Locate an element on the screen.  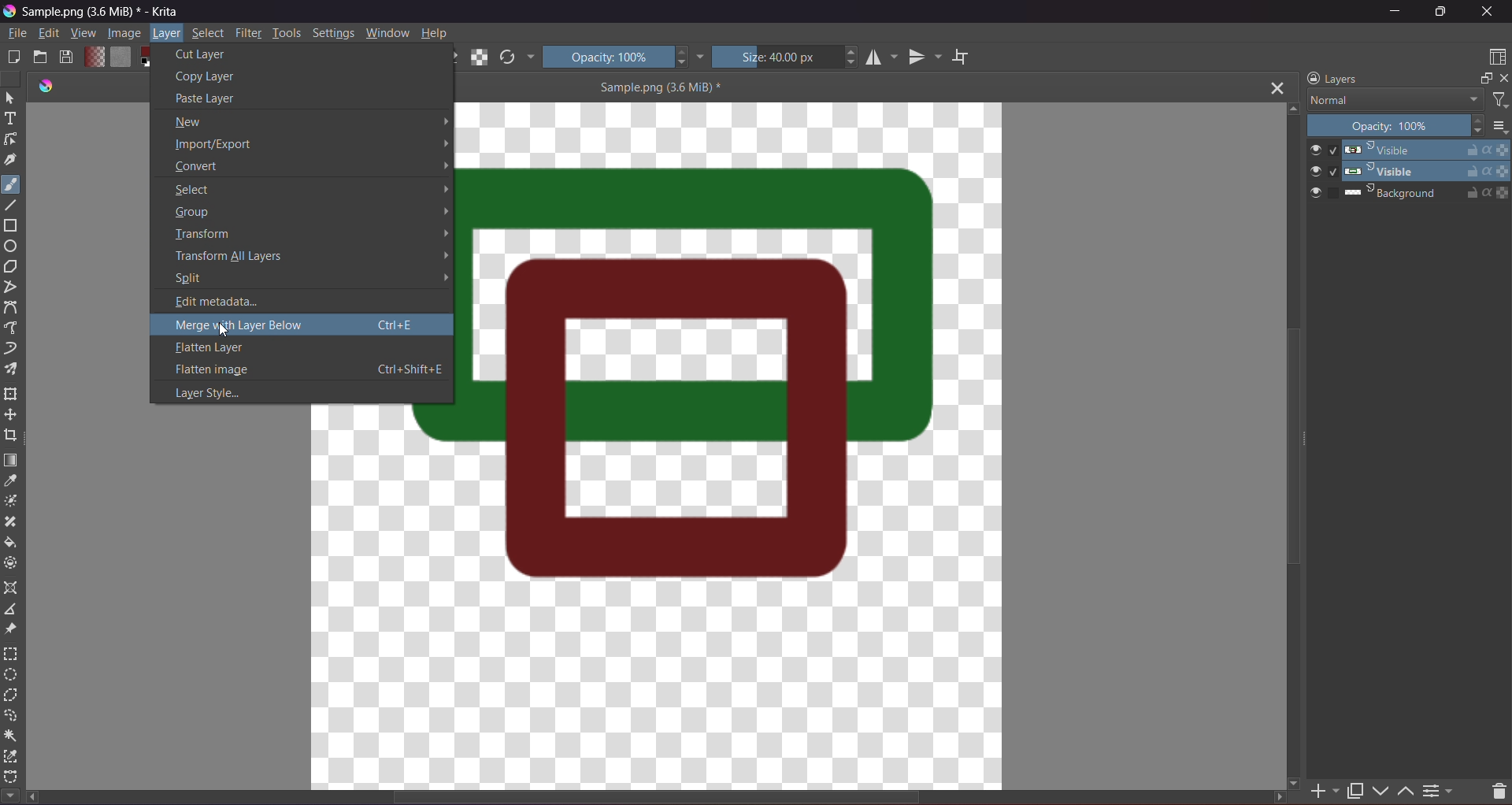
Preset Alpha is located at coordinates (482, 57).